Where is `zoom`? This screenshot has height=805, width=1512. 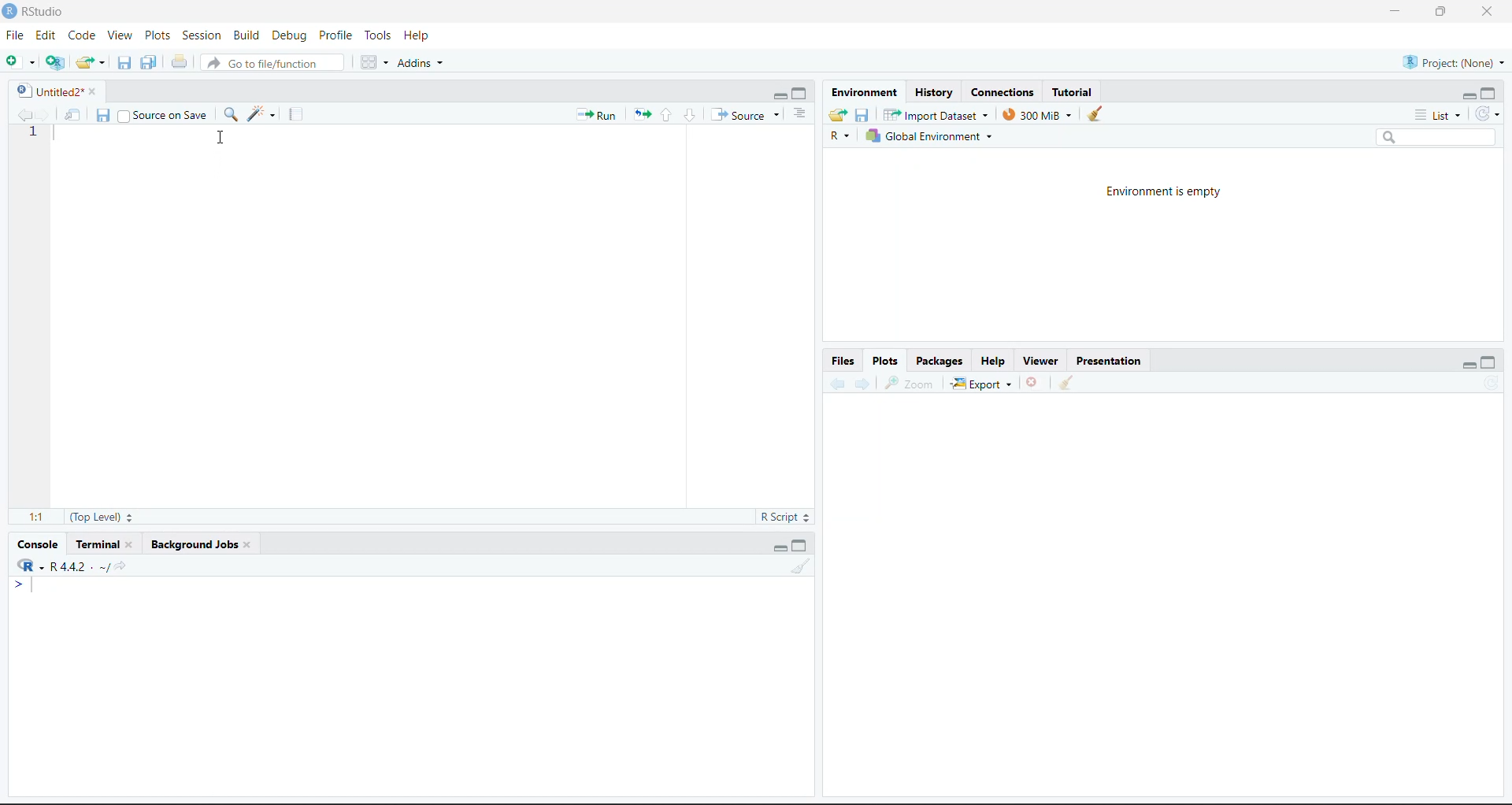
zoom is located at coordinates (913, 383).